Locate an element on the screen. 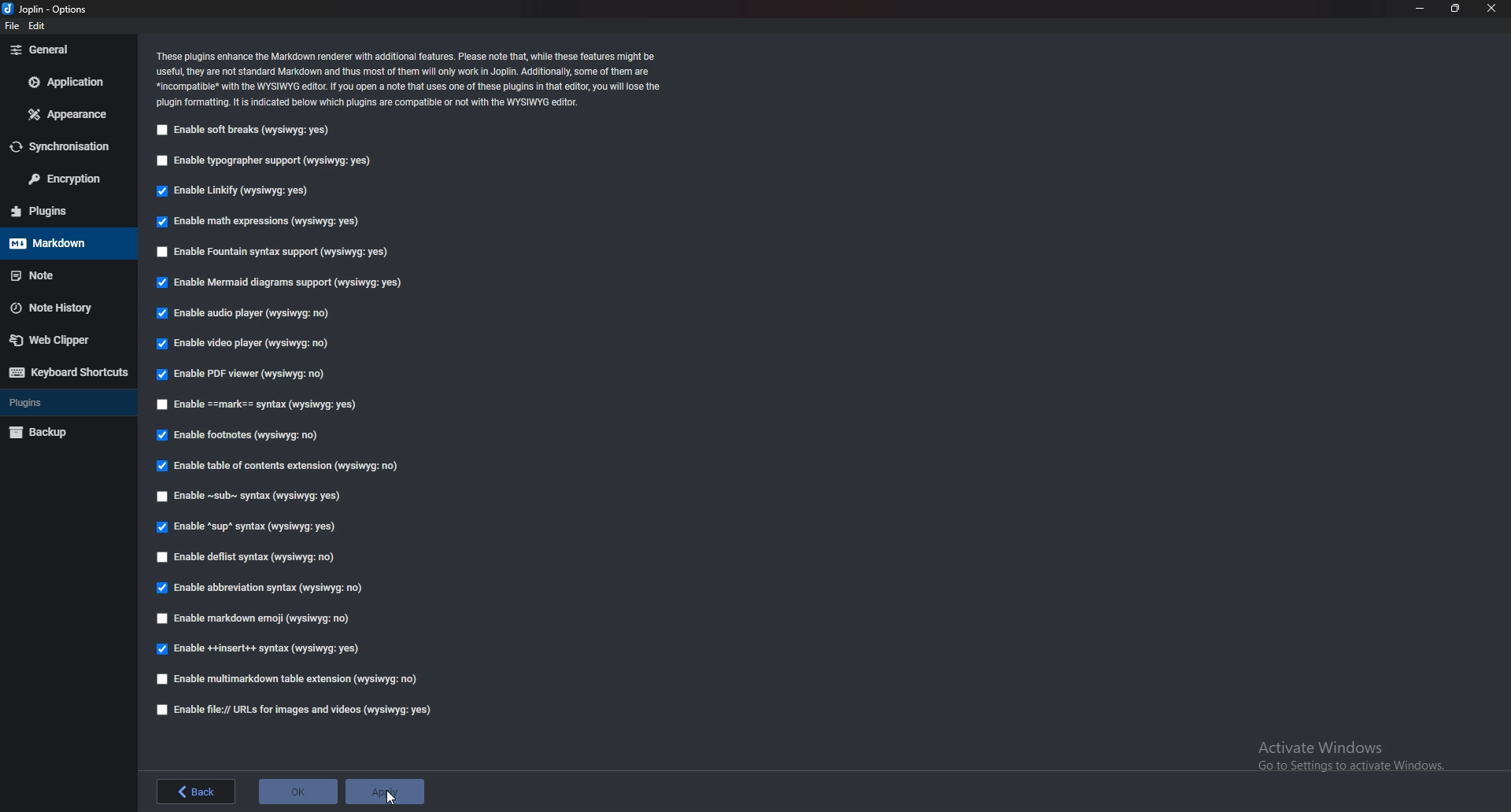 This screenshot has height=812, width=1511. Appearance is located at coordinates (67, 115).